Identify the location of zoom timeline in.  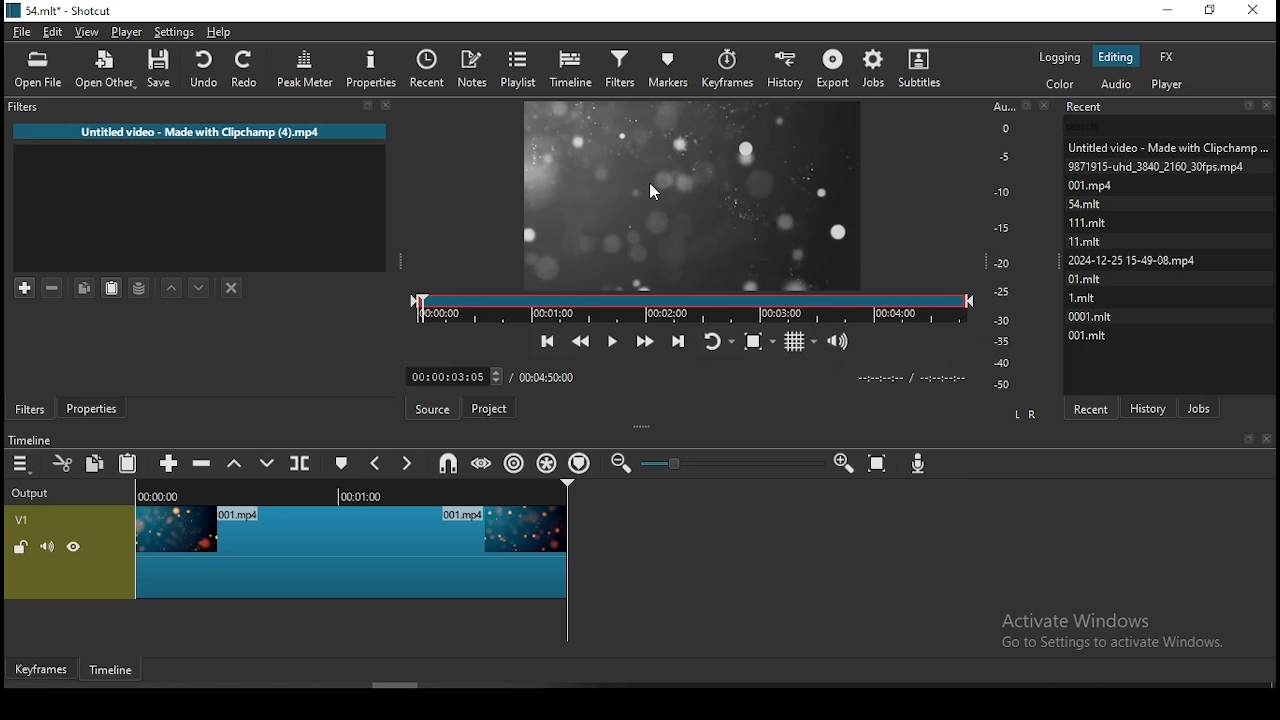
(623, 464).